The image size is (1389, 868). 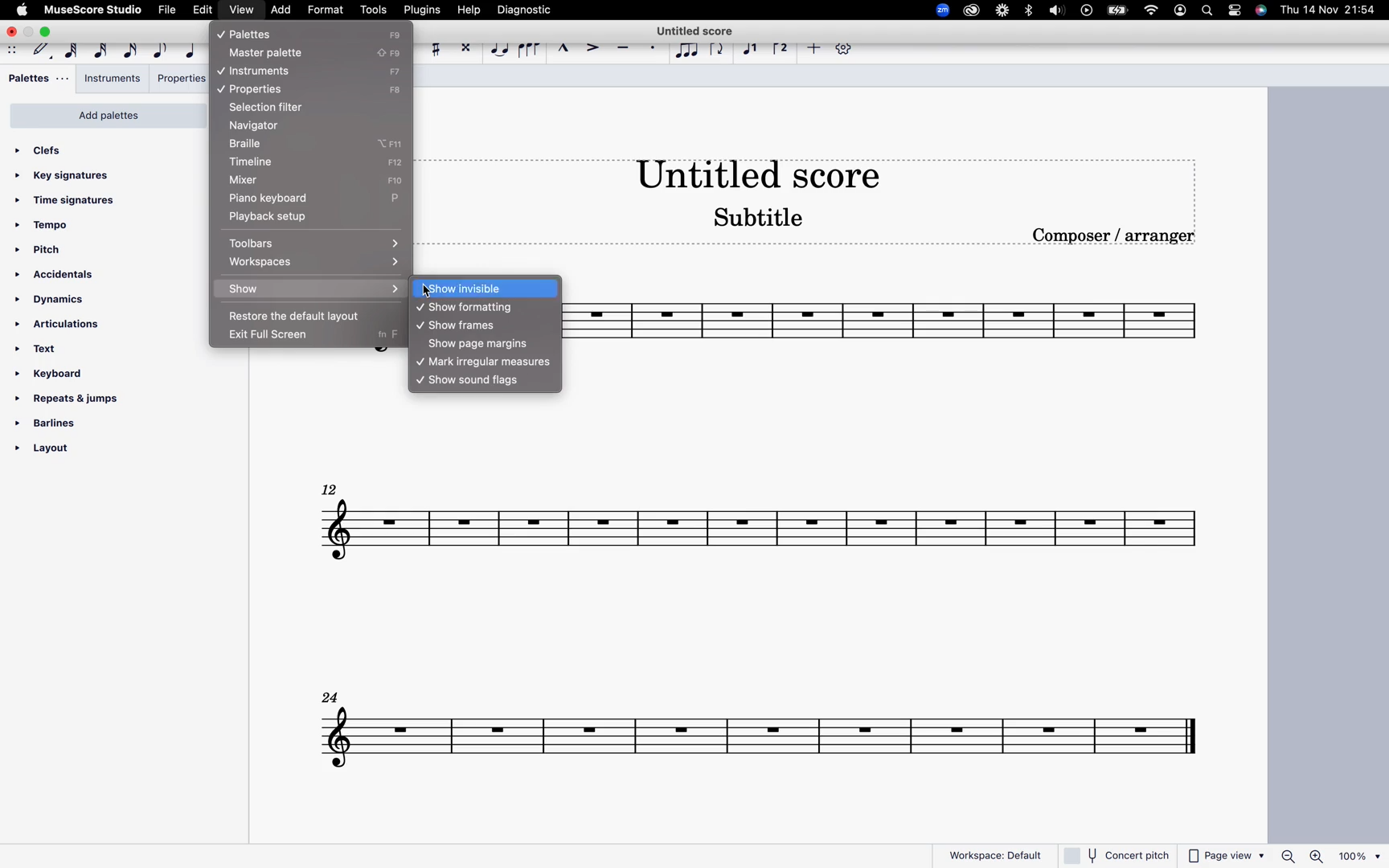 What do you see at coordinates (22, 10) in the screenshot?
I see `apple` at bounding box center [22, 10].